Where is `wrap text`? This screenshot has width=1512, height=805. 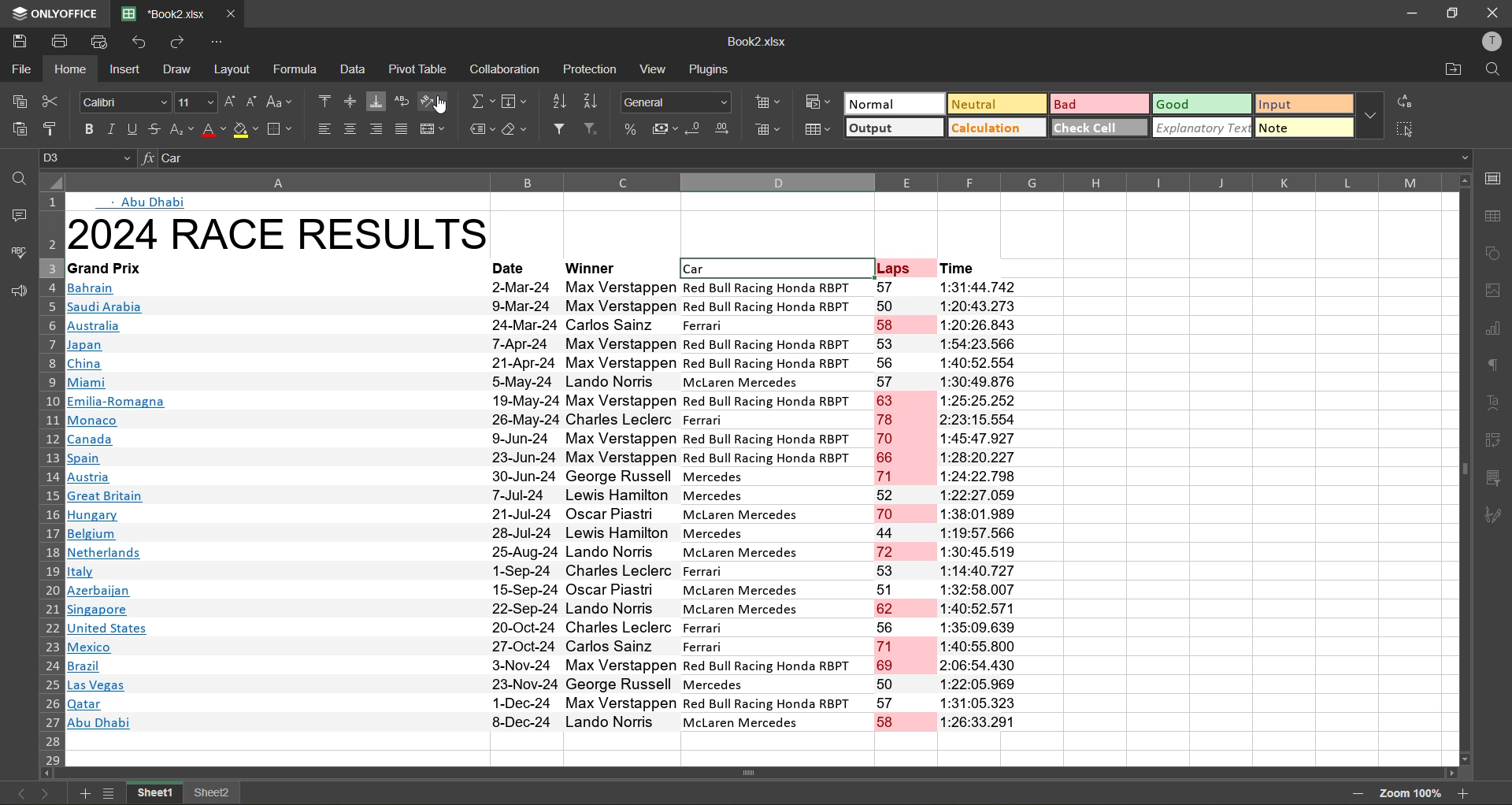 wrap text is located at coordinates (403, 100).